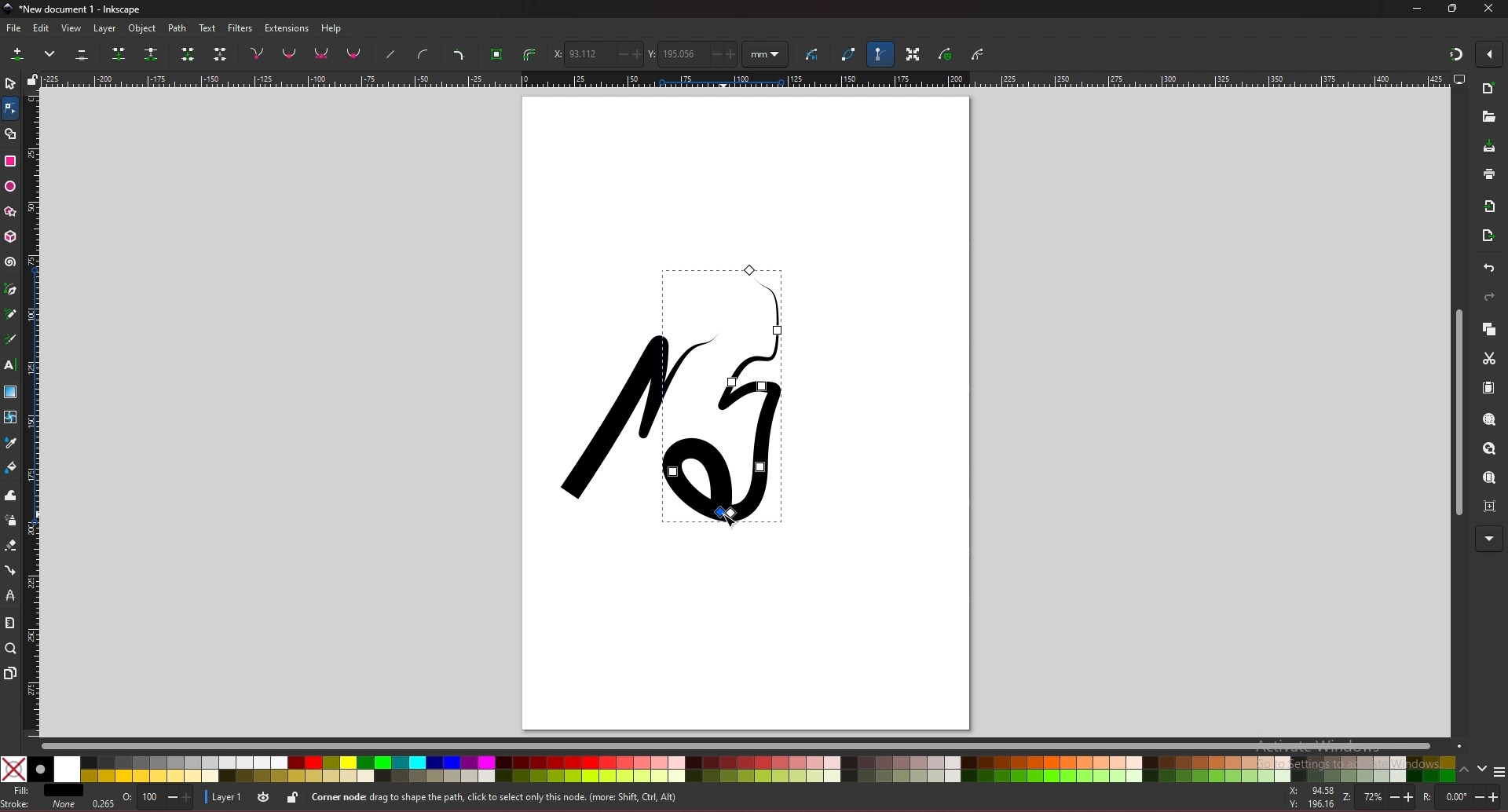 Image resolution: width=1508 pixels, height=812 pixels. I want to click on text, so click(207, 27).